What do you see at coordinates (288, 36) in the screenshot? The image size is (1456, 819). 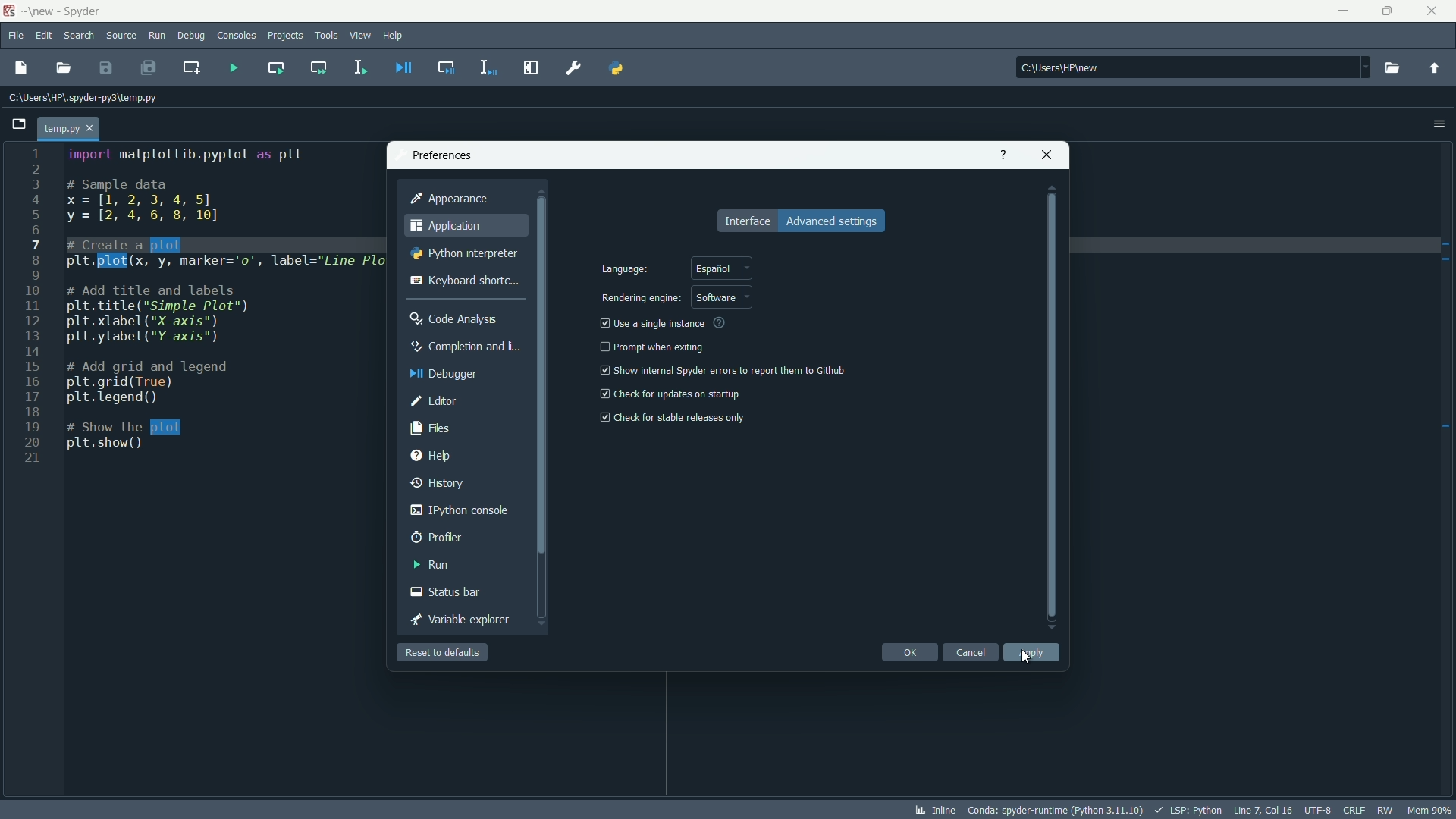 I see `projects` at bounding box center [288, 36].